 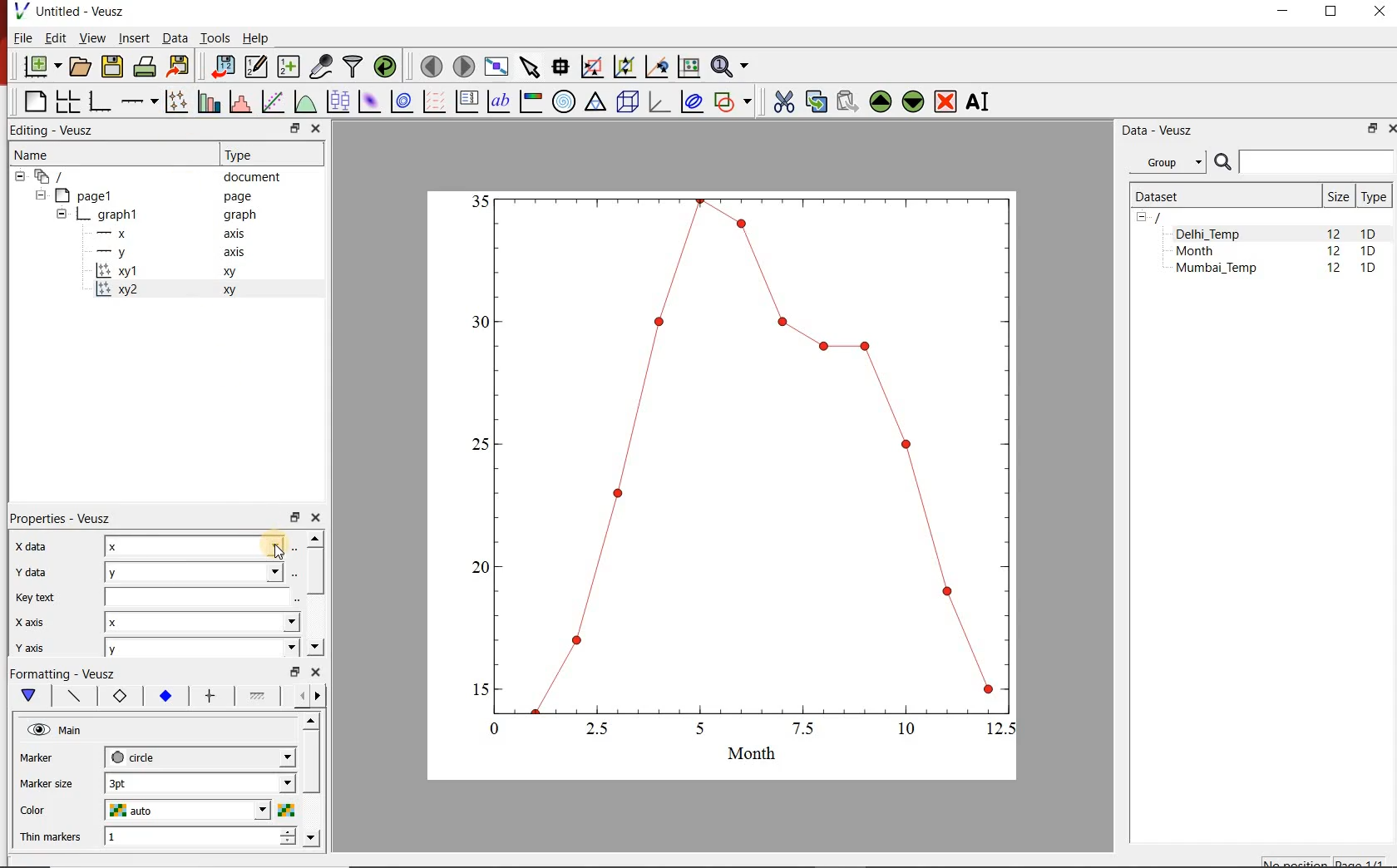 What do you see at coordinates (47, 811) in the screenshot?
I see `color` at bounding box center [47, 811].